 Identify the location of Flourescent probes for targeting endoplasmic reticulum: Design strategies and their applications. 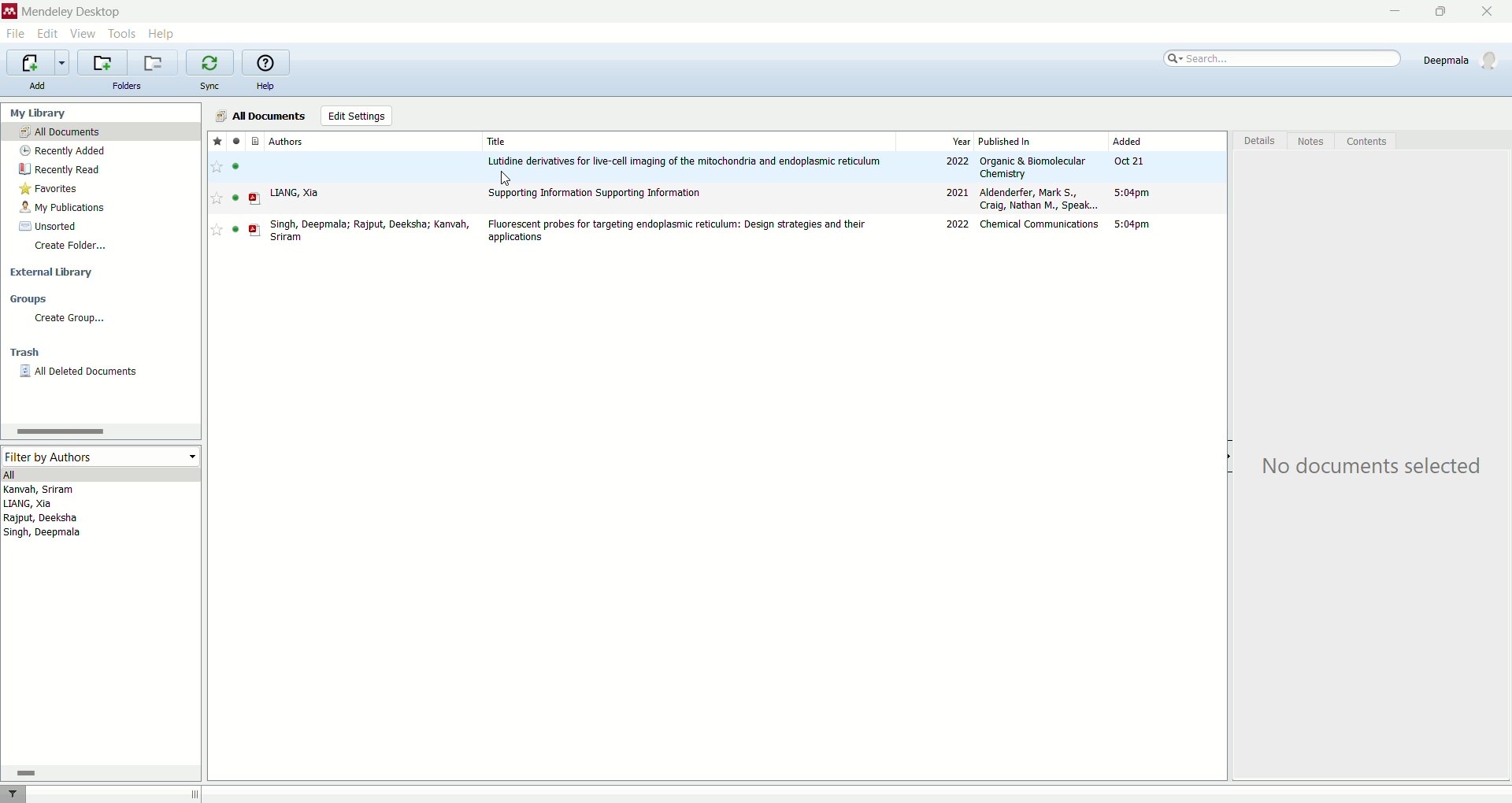
(679, 231).